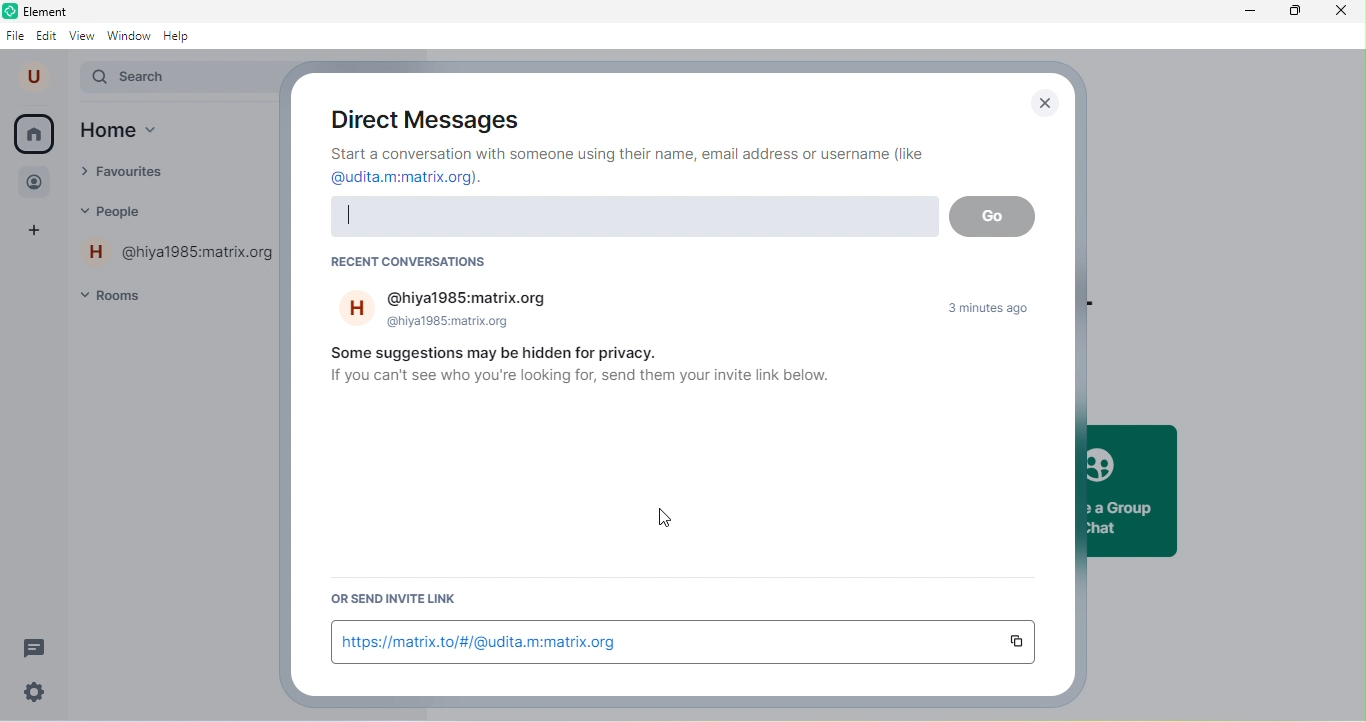 The height and width of the screenshot is (722, 1366). Describe the element at coordinates (123, 294) in the screenshot. I see `rooms` at that location.